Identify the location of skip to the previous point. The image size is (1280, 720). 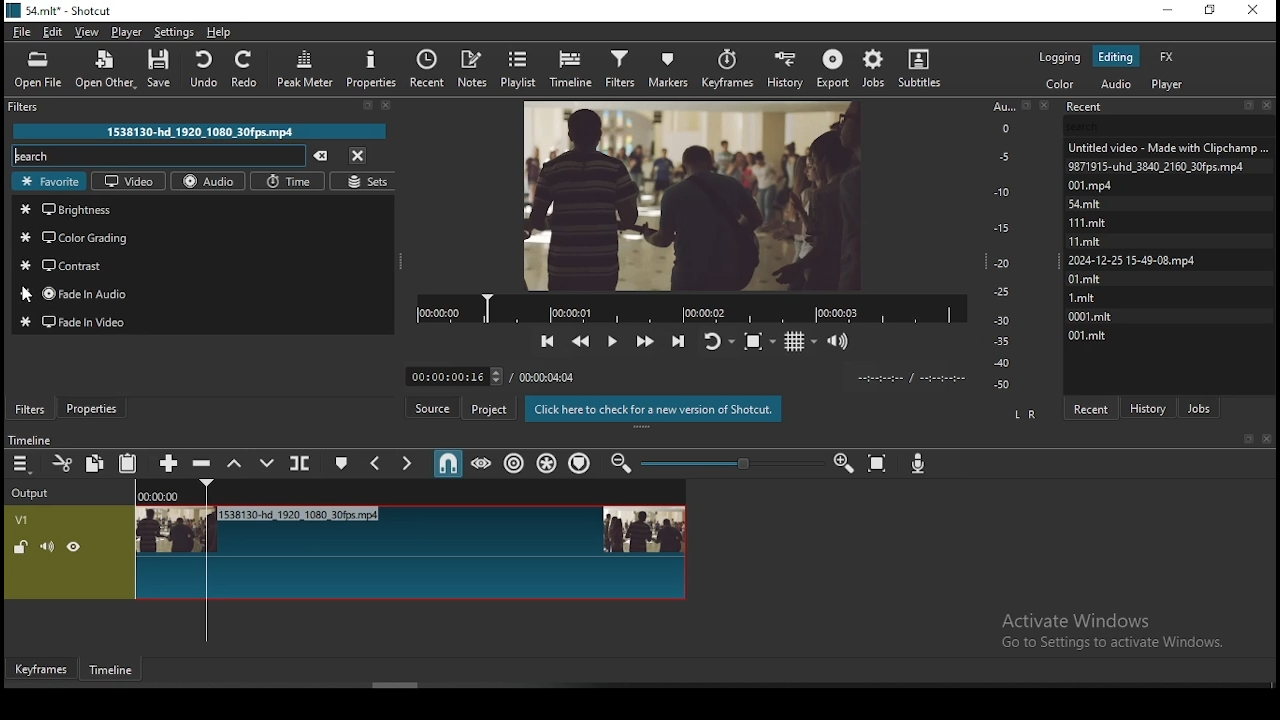
(546, 340).